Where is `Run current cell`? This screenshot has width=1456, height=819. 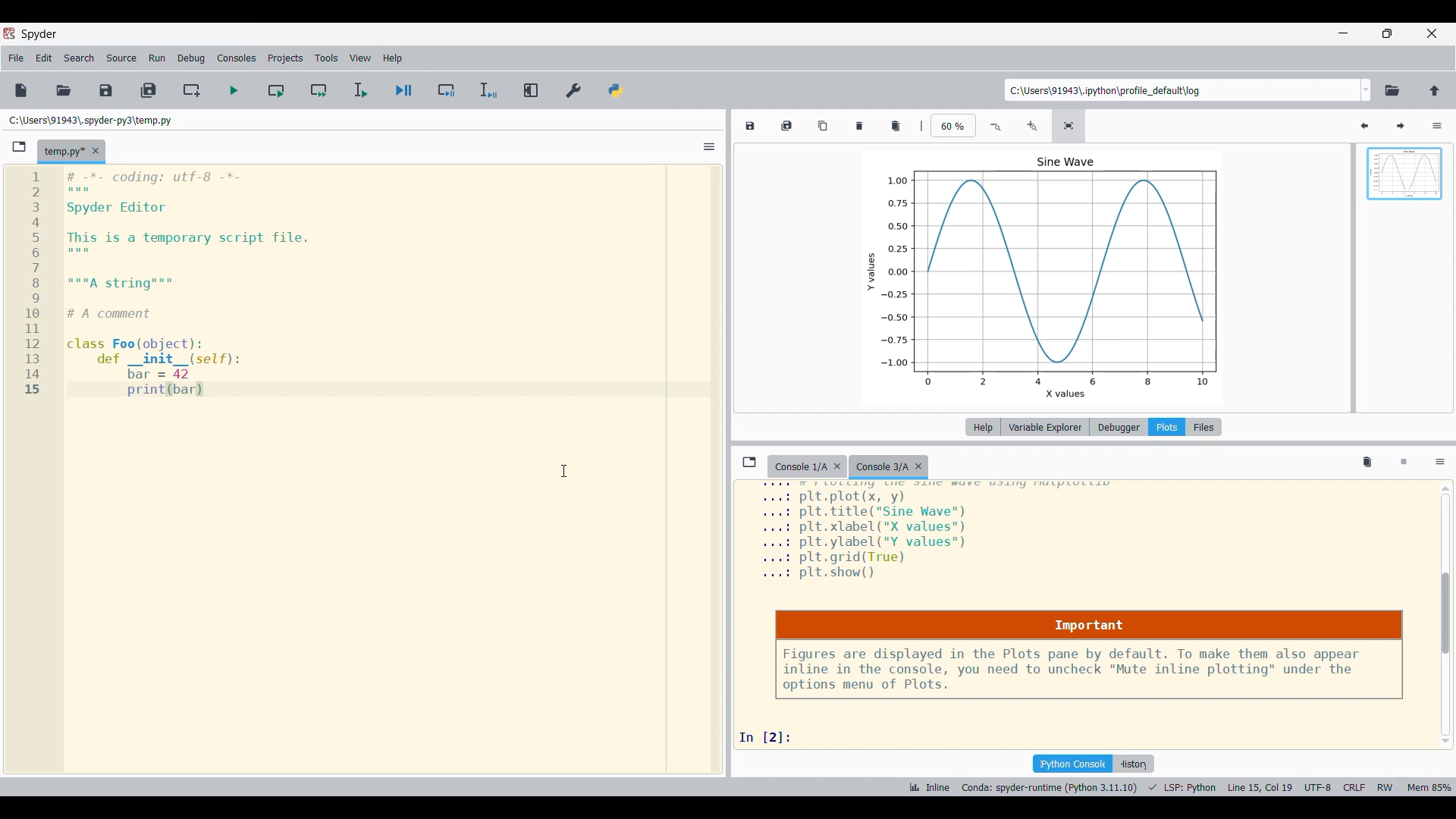 Run current cell is located at coordinates (276, 90).